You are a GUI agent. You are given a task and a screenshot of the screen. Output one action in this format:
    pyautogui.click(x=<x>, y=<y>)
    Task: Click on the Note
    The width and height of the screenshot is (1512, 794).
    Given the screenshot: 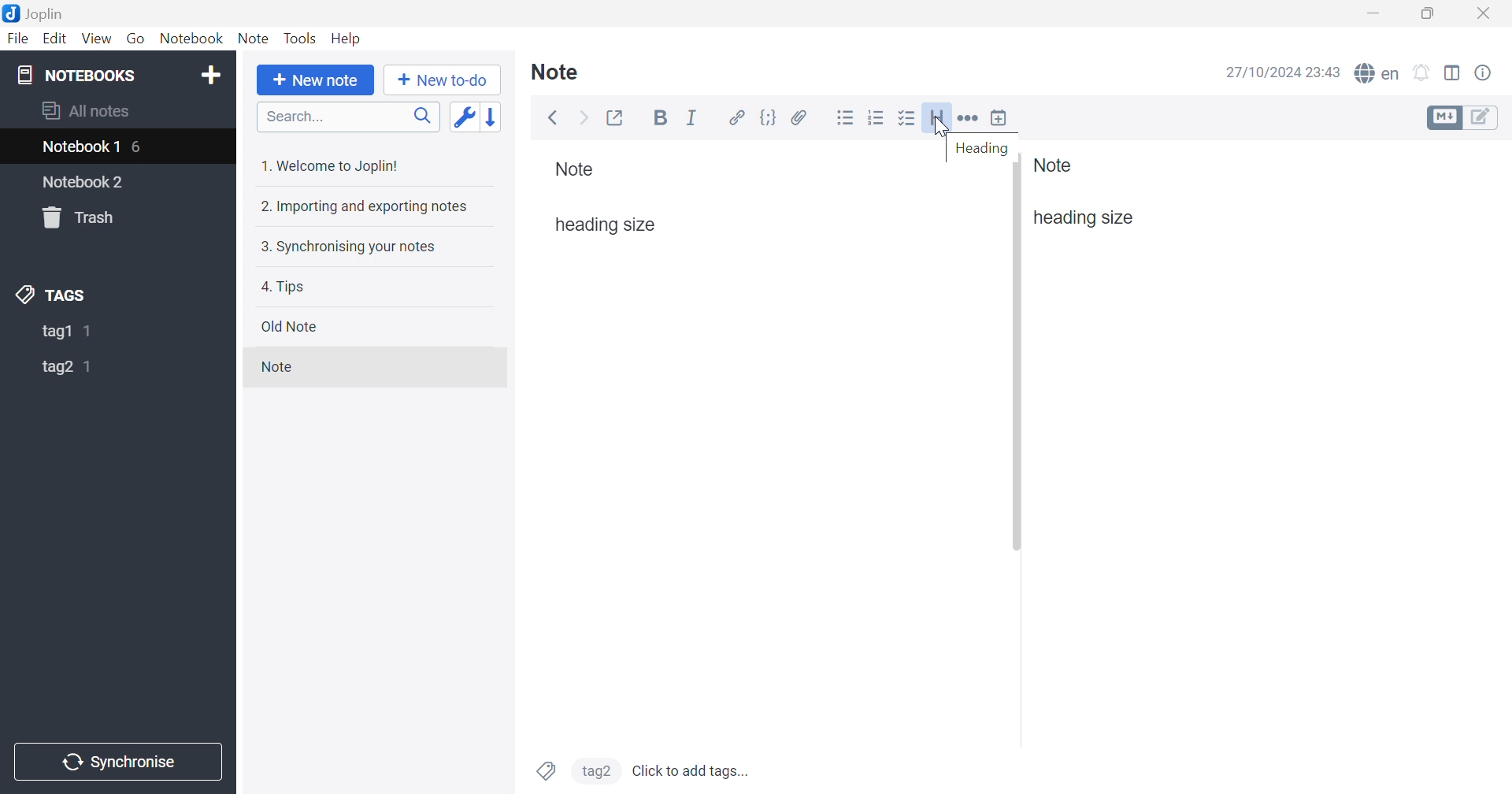 What is the action you would take?
    pyautogui.click(x=575, y=169)
    